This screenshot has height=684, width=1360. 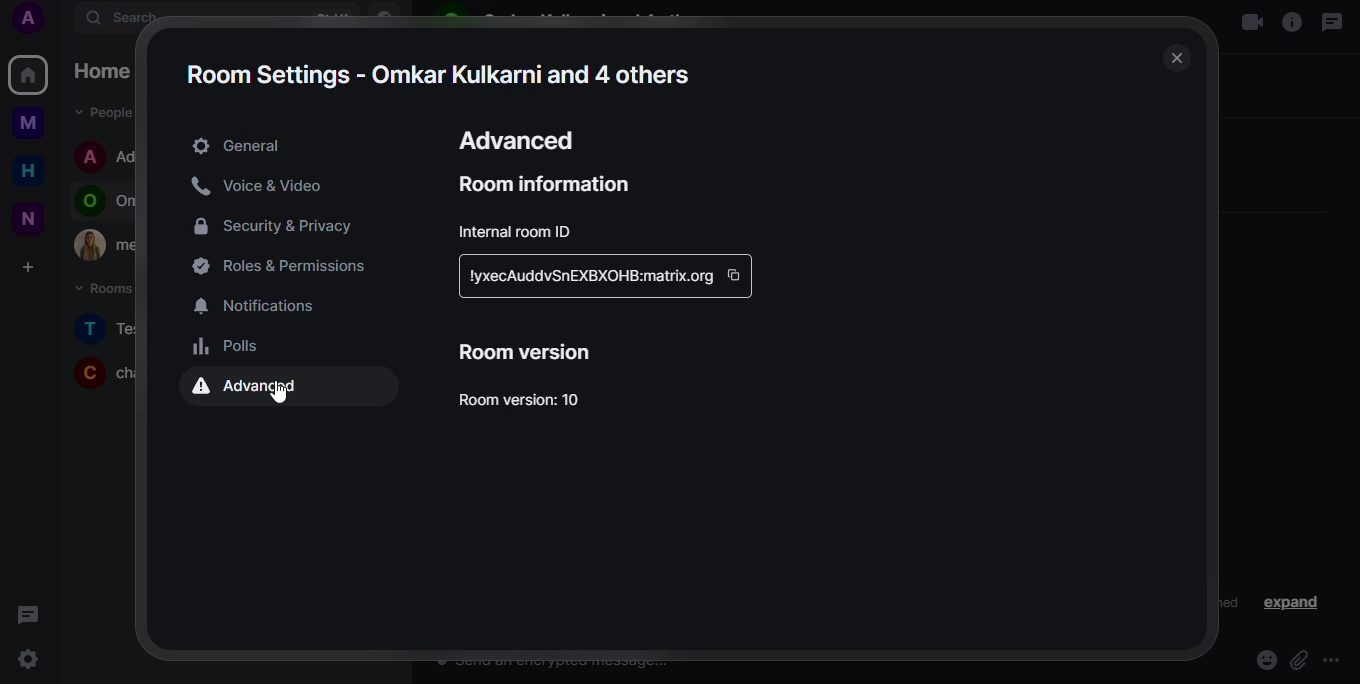 What do you see at coordinates (36, 21) in the screenshot?
I see `A` at bounding box center [36, 21].